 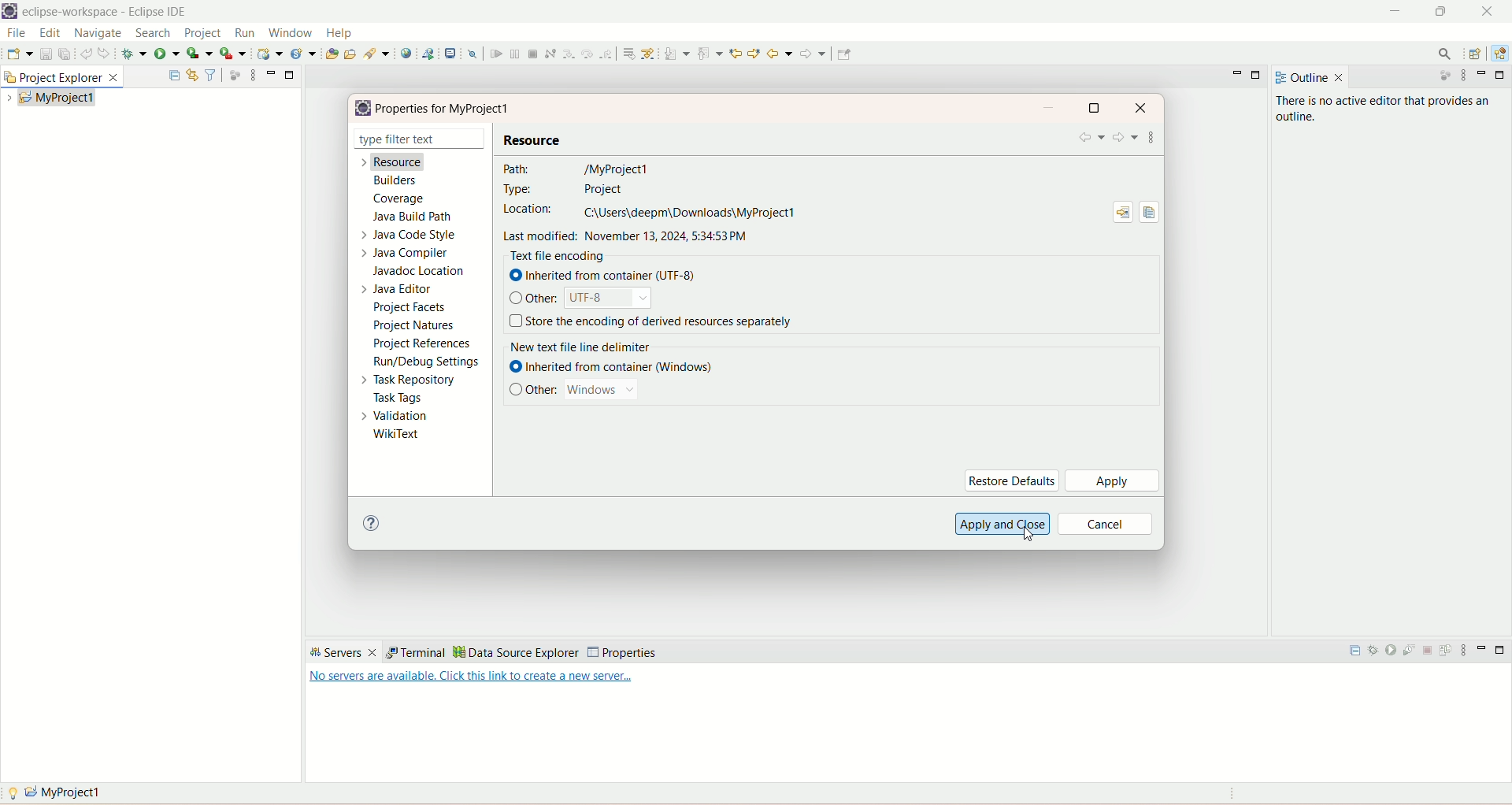 What do you see at coordinates (15, 34) in the screenshot?
I see `file` at bounding box center [15, 34].